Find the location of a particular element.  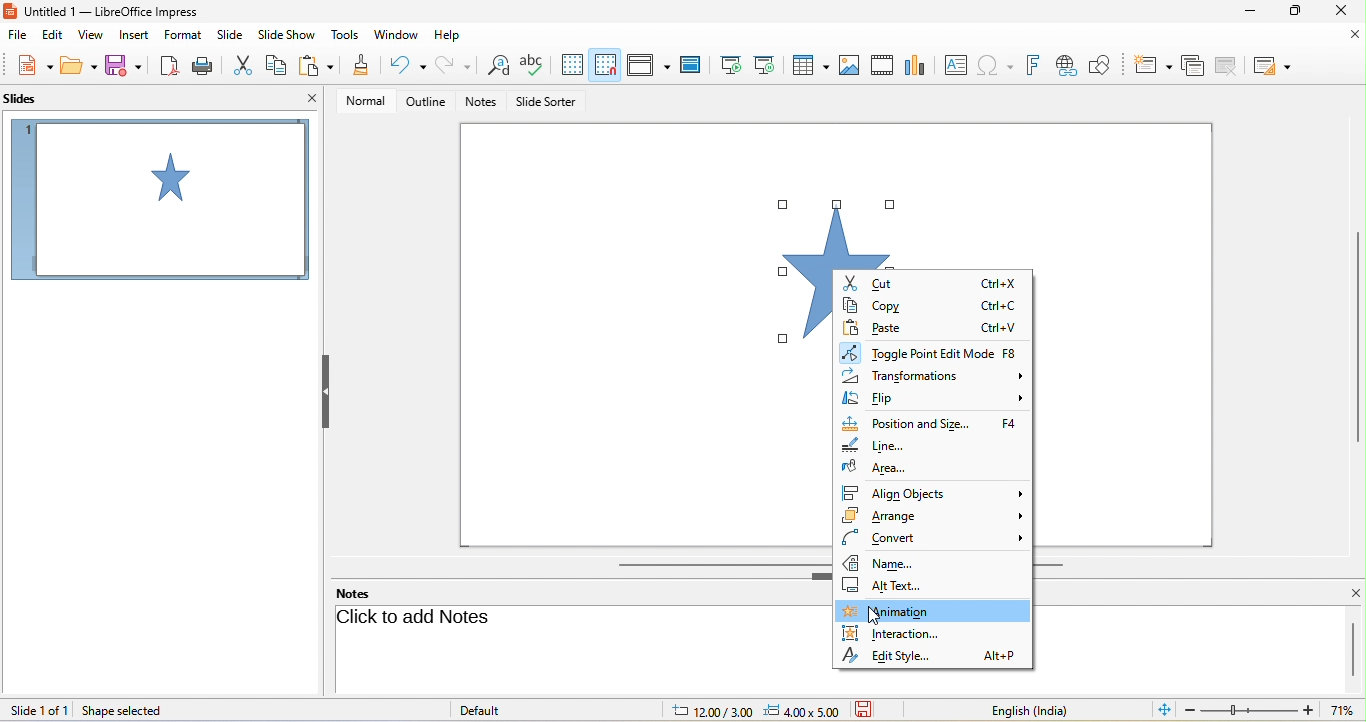

slide dimension: 4.00x5.00 is located at coordinates (801, 711).